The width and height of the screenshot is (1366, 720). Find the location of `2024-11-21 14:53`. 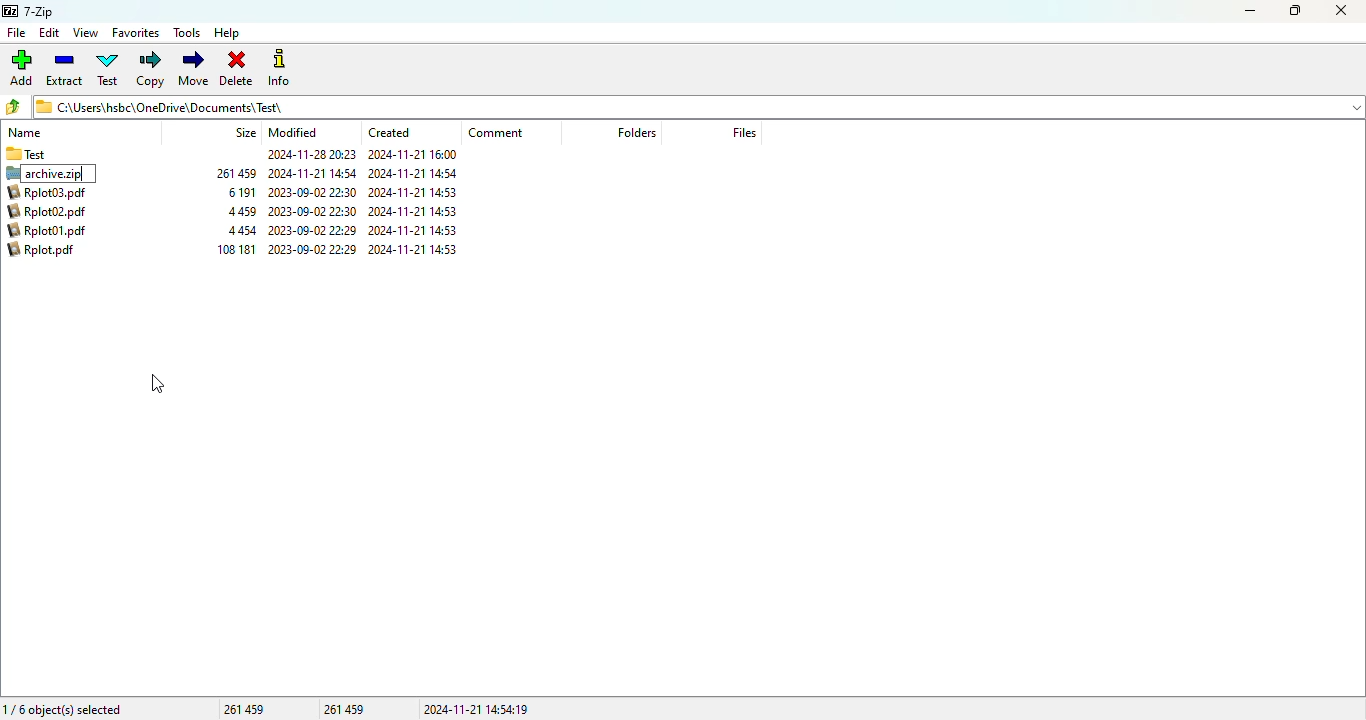

2024-11-21 14:53 is located at coordinates (418, 210).